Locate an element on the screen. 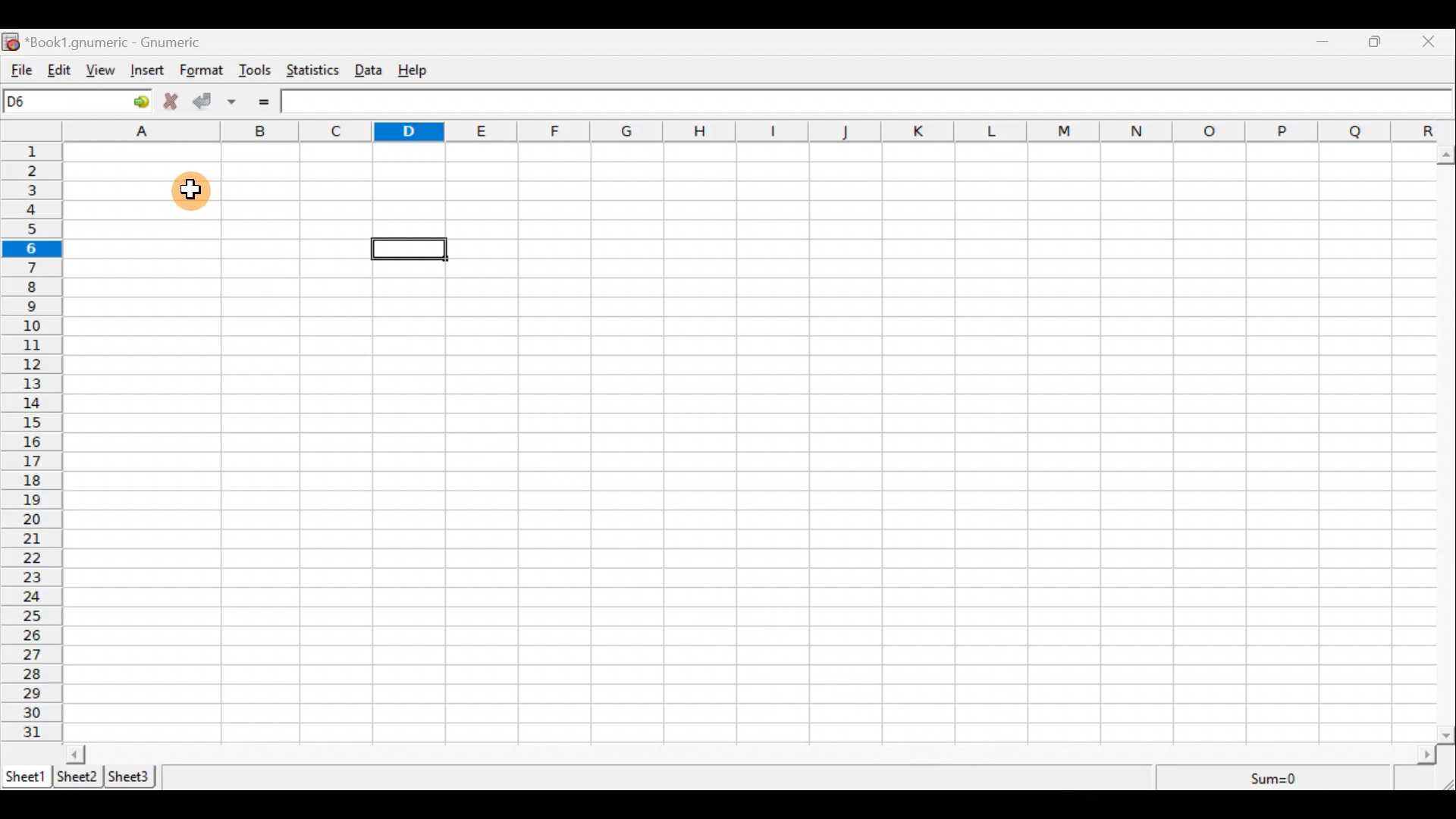  Cell name is located at coordinates (78, 101).